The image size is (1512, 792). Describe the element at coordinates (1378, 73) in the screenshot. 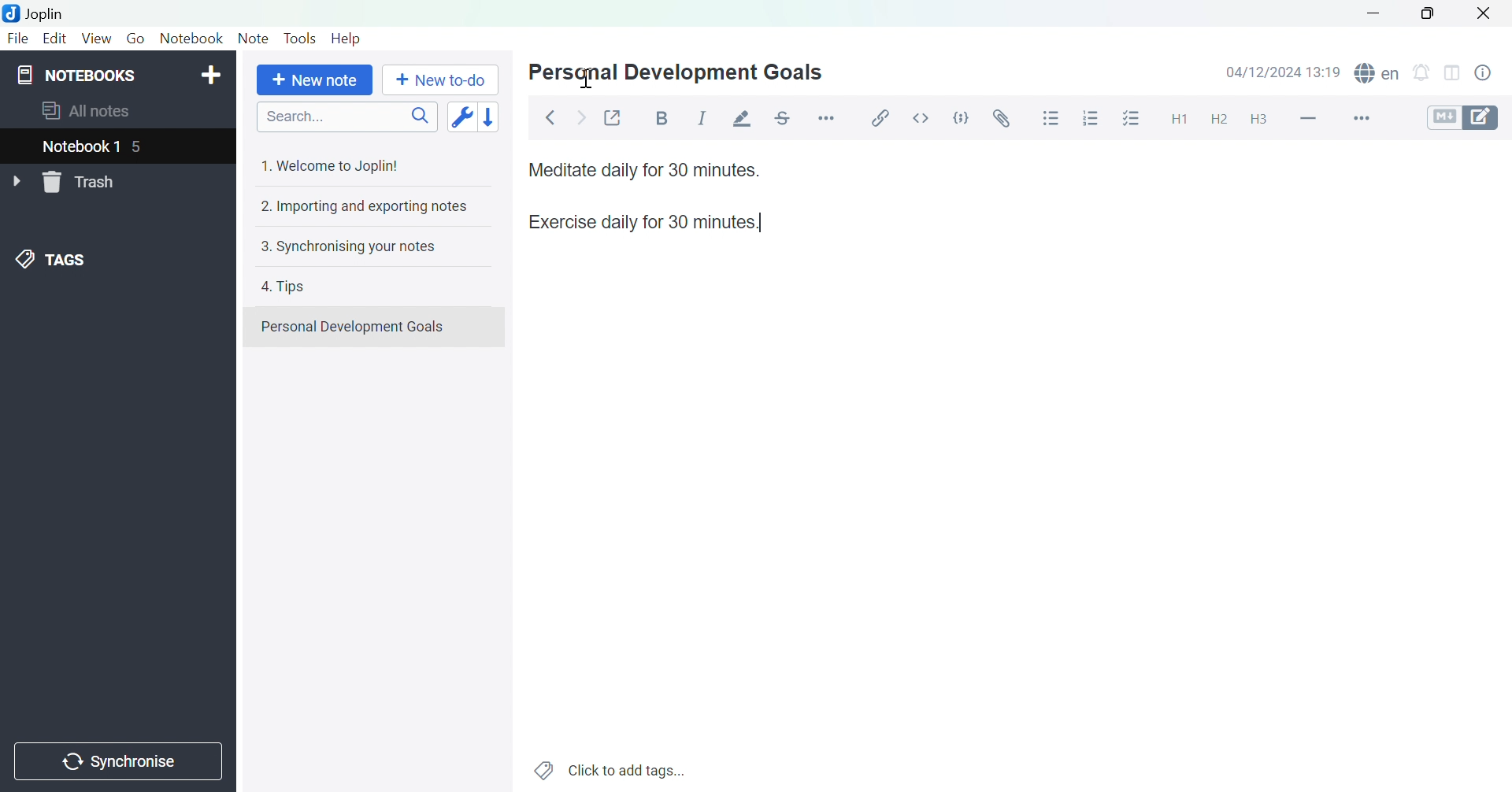

I see `spell checker` at that location.